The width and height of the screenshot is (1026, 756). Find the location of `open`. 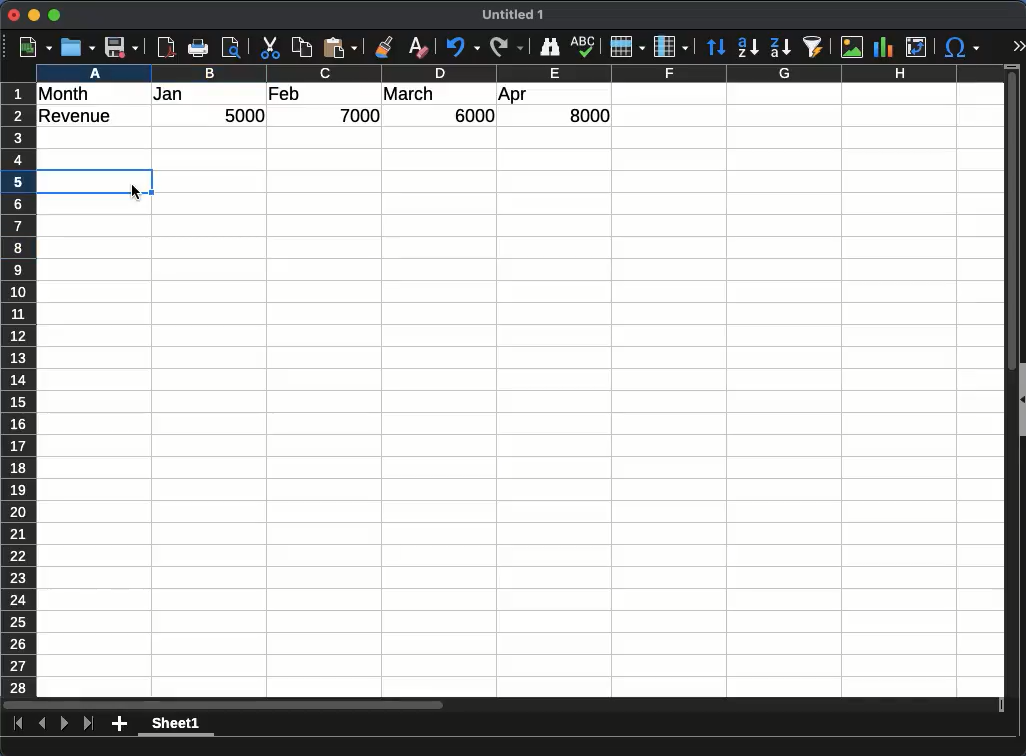

open is located at coordinates (78, 47).